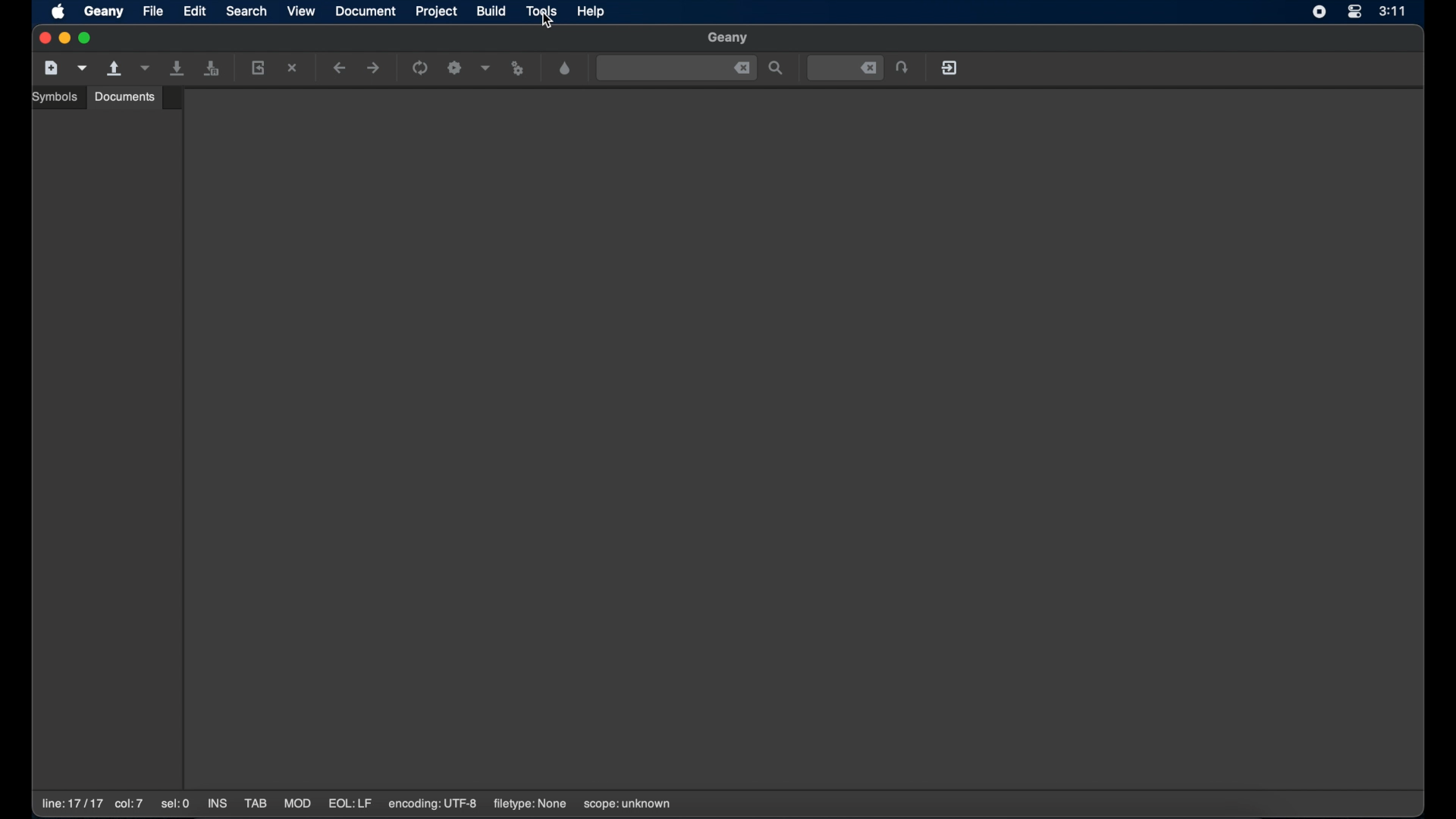 The image size is (1456, 819). Describe the element at coordinates (592, 11) in the screenshot. I see `help` at that location.